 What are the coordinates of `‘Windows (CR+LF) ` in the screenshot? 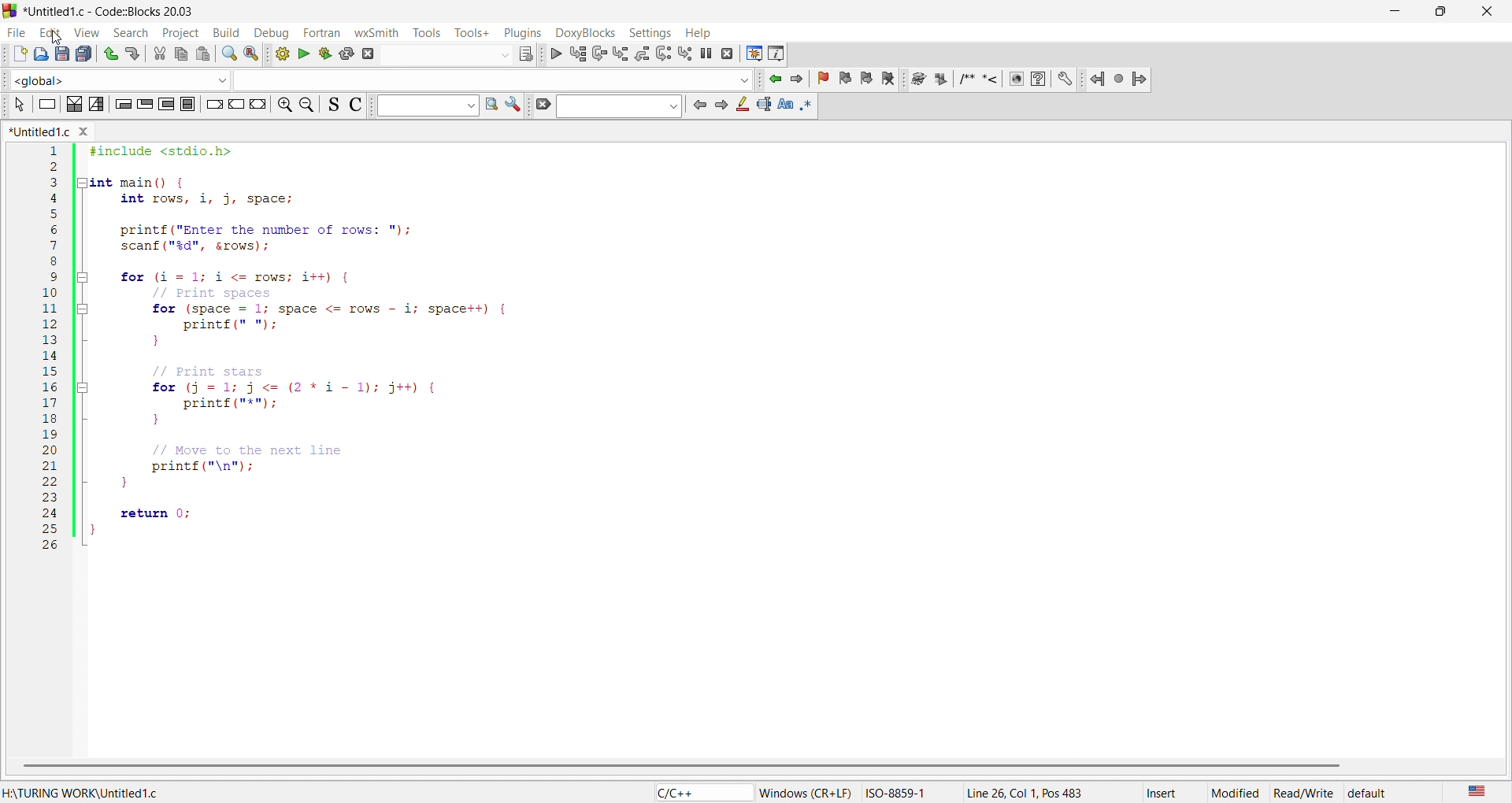 It's located at (806, 791).